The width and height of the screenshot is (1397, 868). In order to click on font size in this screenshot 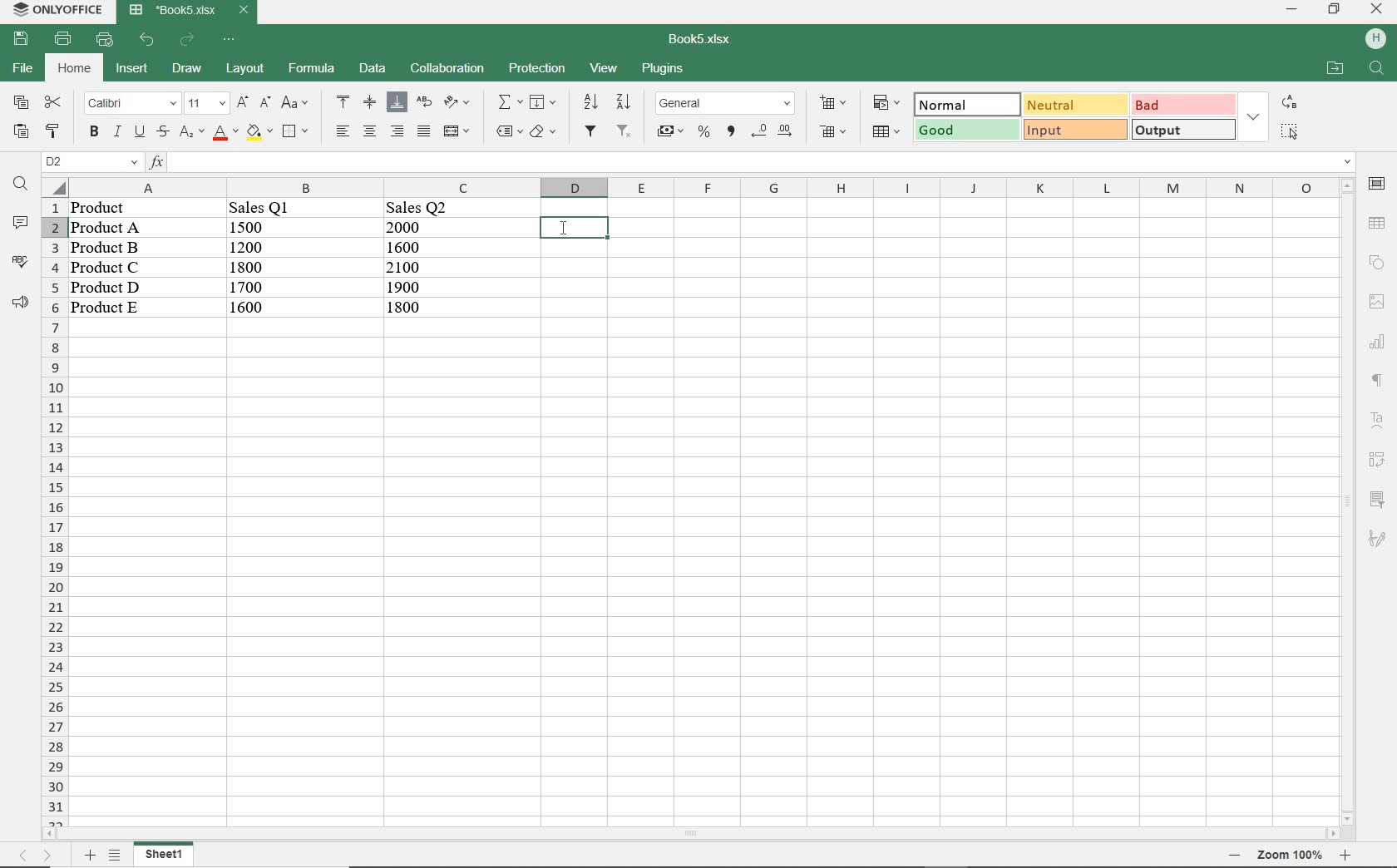, I will do `click(205, 104)`.